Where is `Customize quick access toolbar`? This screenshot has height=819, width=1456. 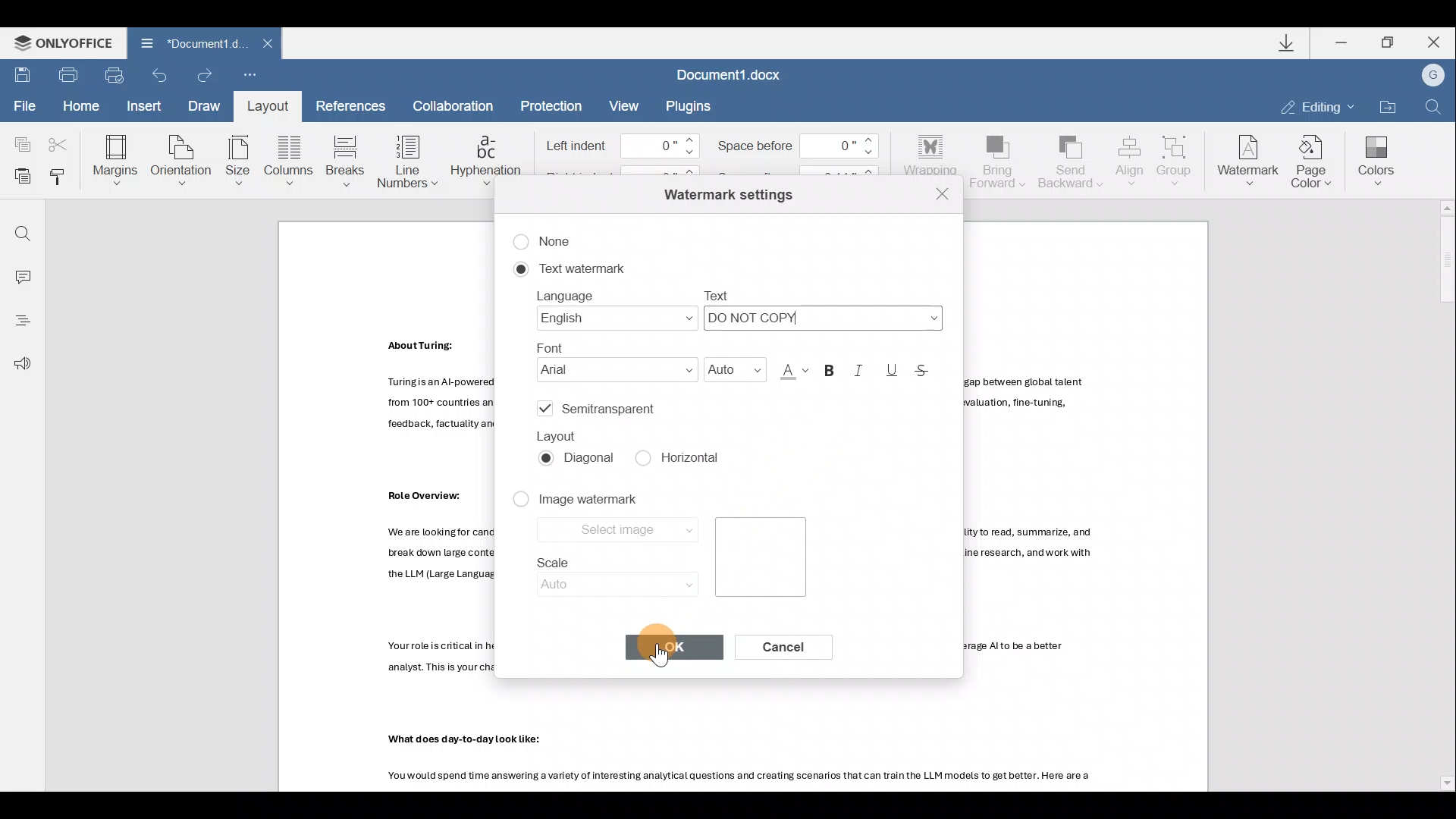 Customize quick access toolbar is located at coordinates (246, 76).